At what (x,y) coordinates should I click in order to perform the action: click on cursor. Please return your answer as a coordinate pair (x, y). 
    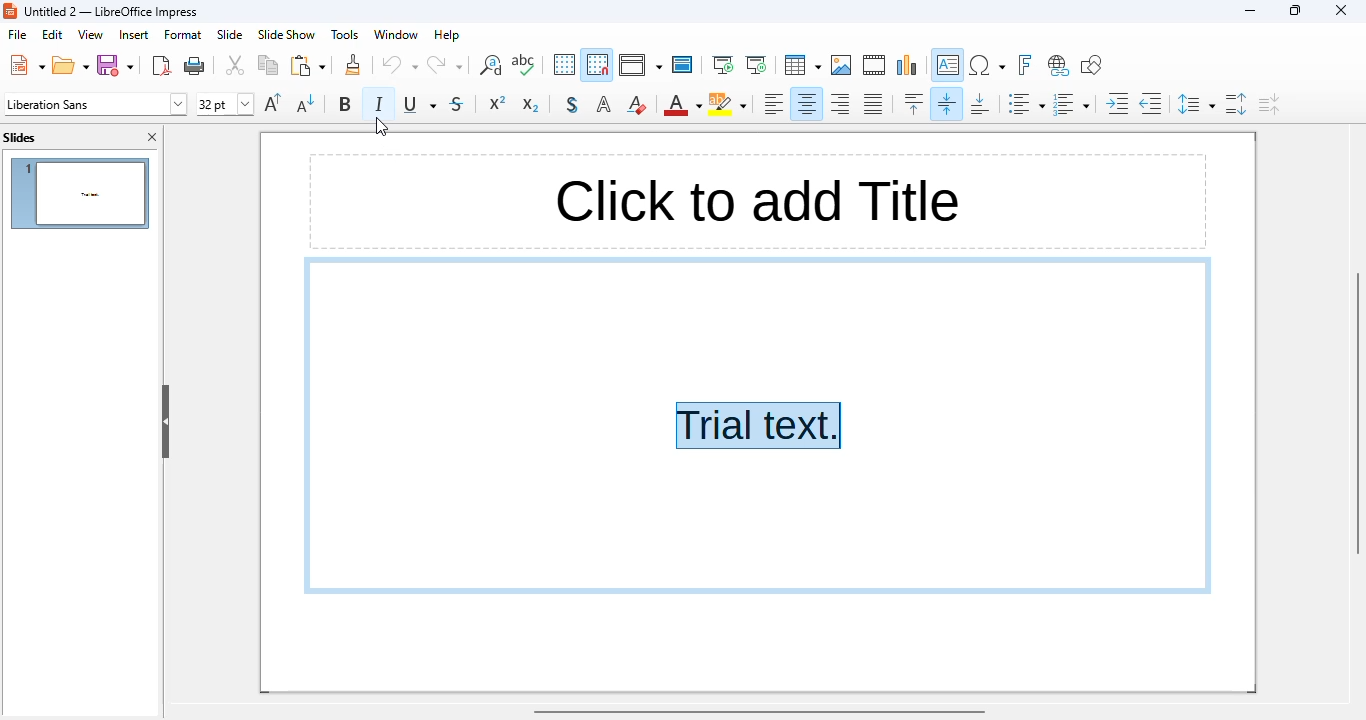
    Looking at the image, I should click on (382, 125).